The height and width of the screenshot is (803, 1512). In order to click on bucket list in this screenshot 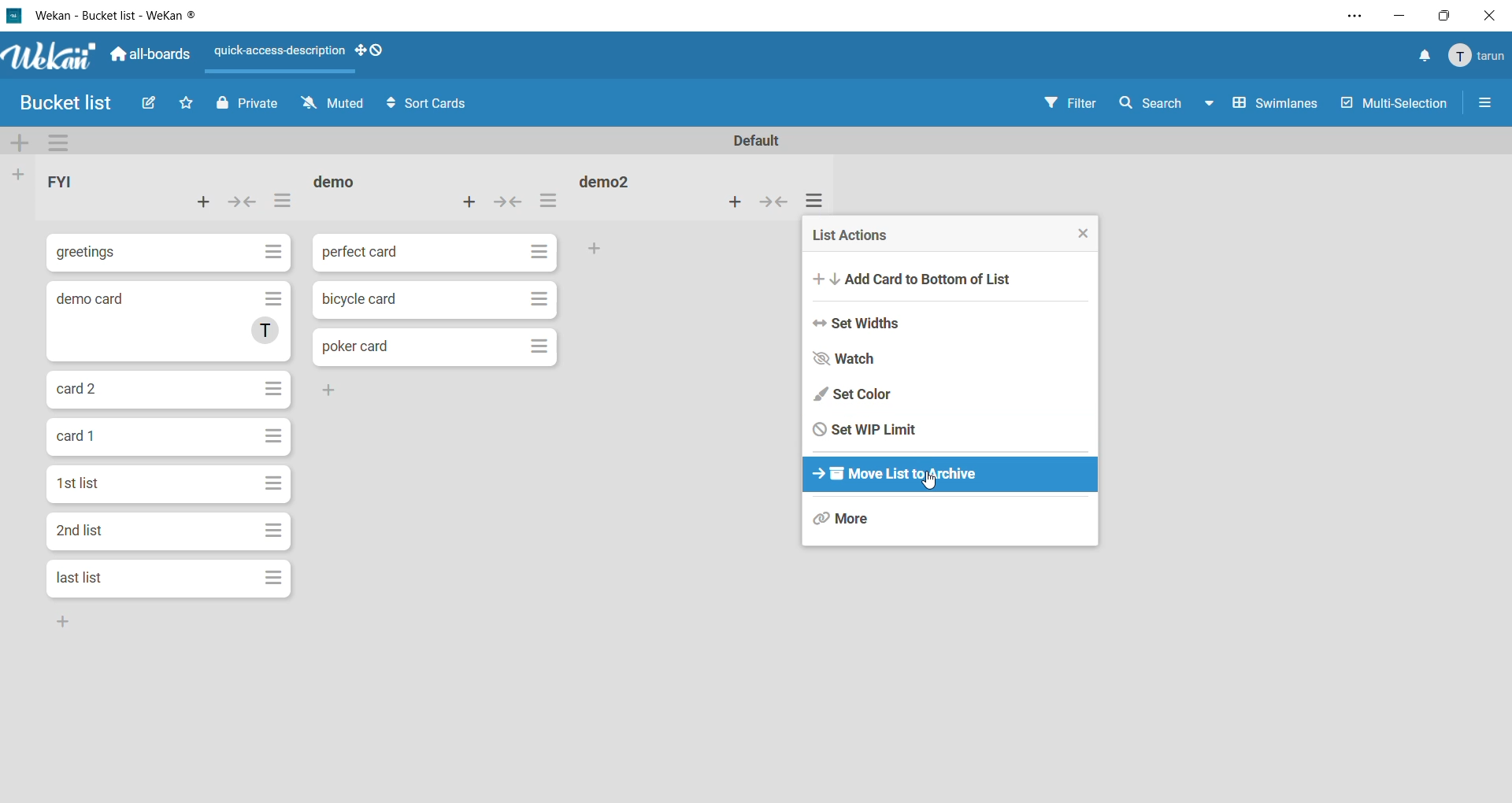, I will do `click(66, 103)`.